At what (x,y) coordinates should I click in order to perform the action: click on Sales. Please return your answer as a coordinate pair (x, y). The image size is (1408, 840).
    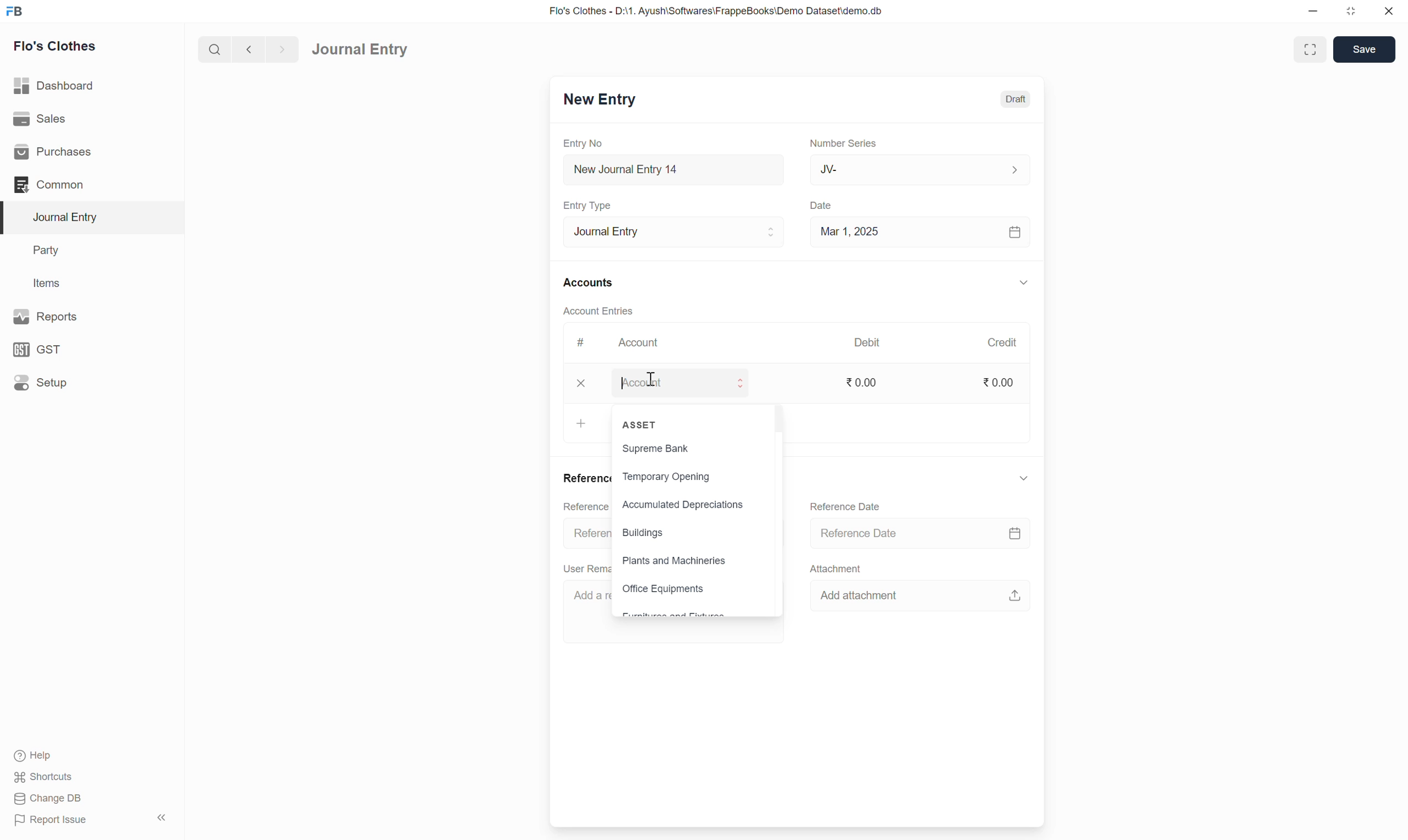
    Looking at the image, I should click on (39, 117).